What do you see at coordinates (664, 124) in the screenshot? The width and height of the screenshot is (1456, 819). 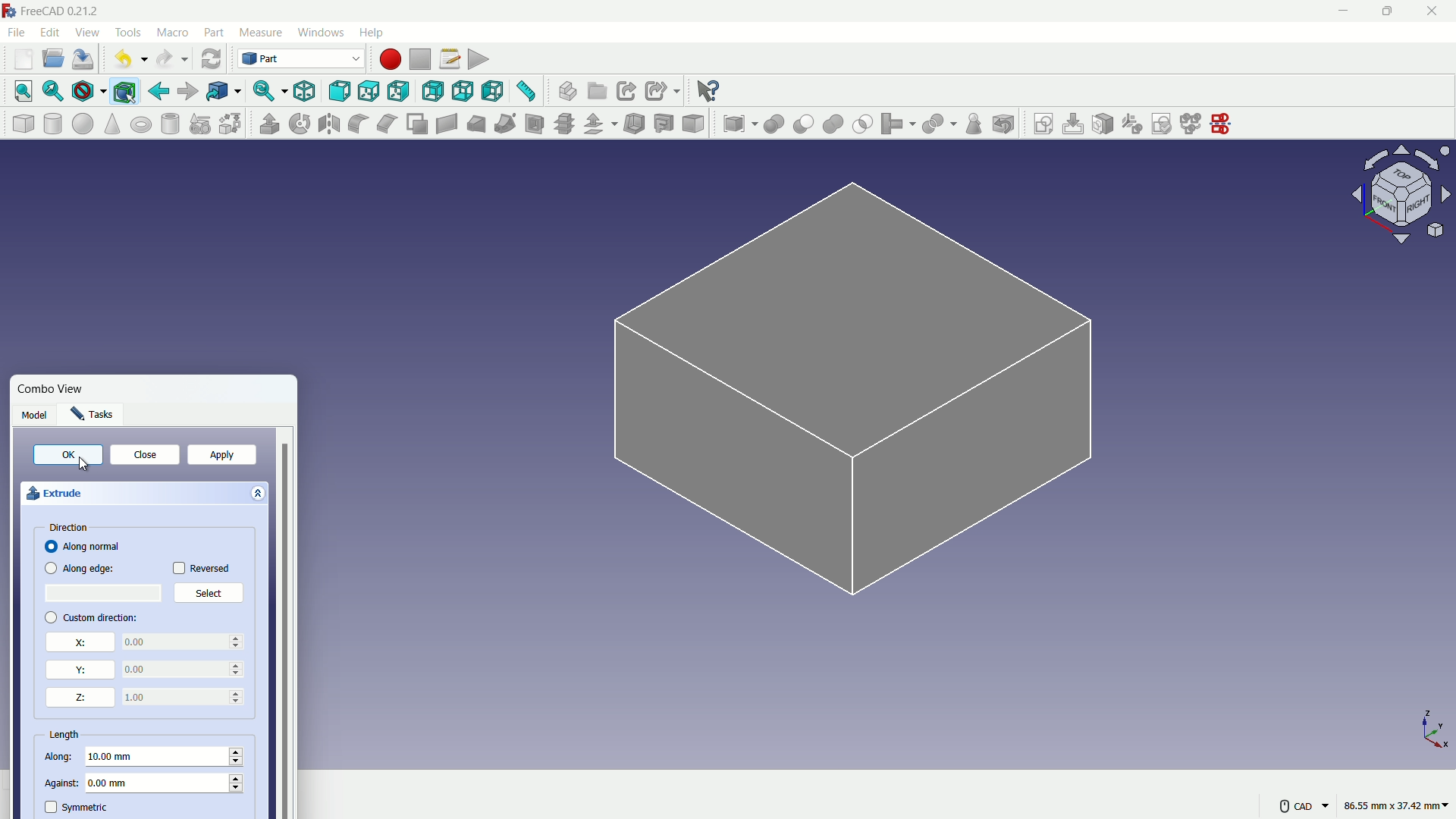 I see `projection` at bounding box center [664, 124].